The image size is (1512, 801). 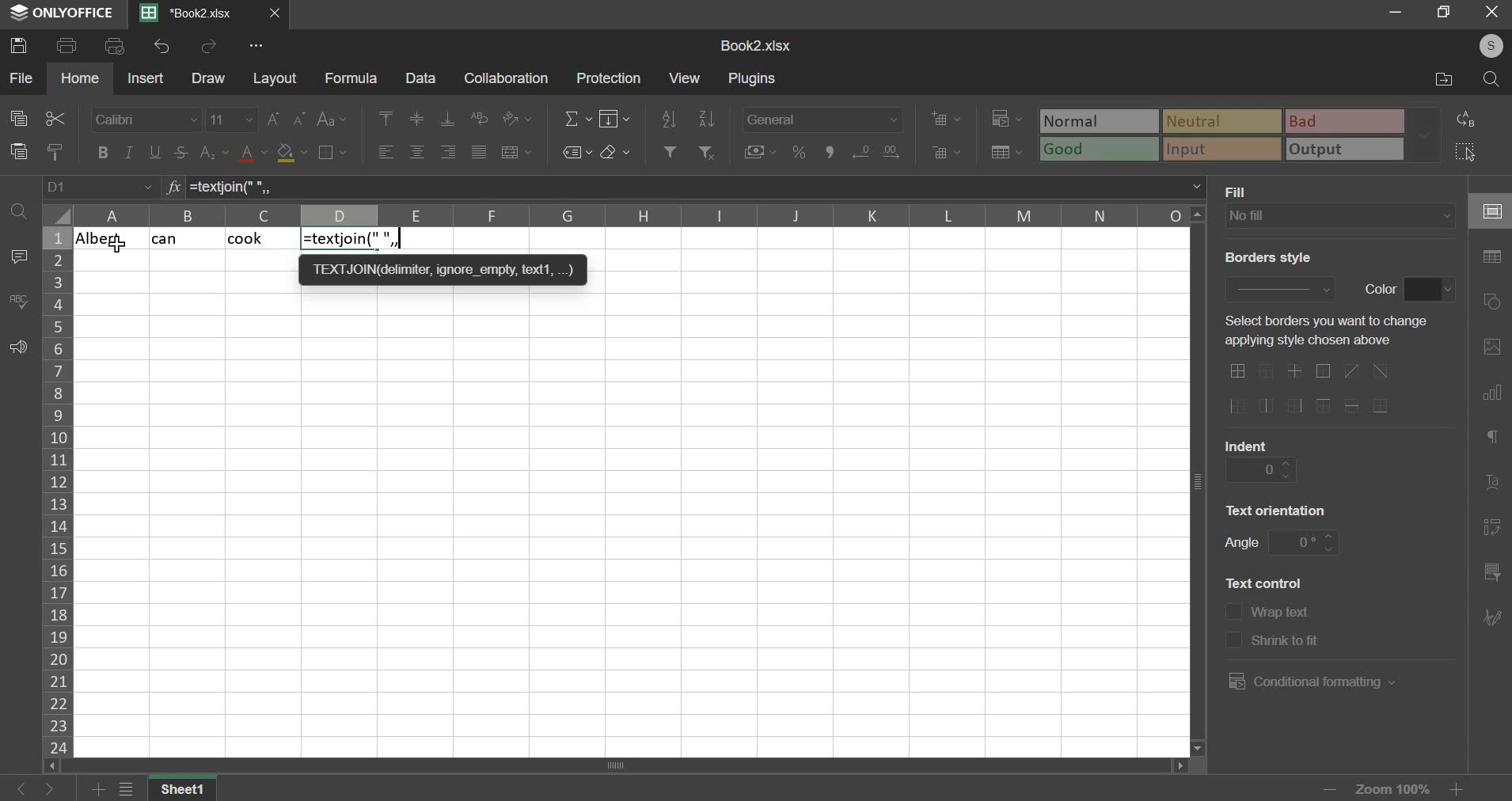 I want to click on align top, so click(x=388, y=119).